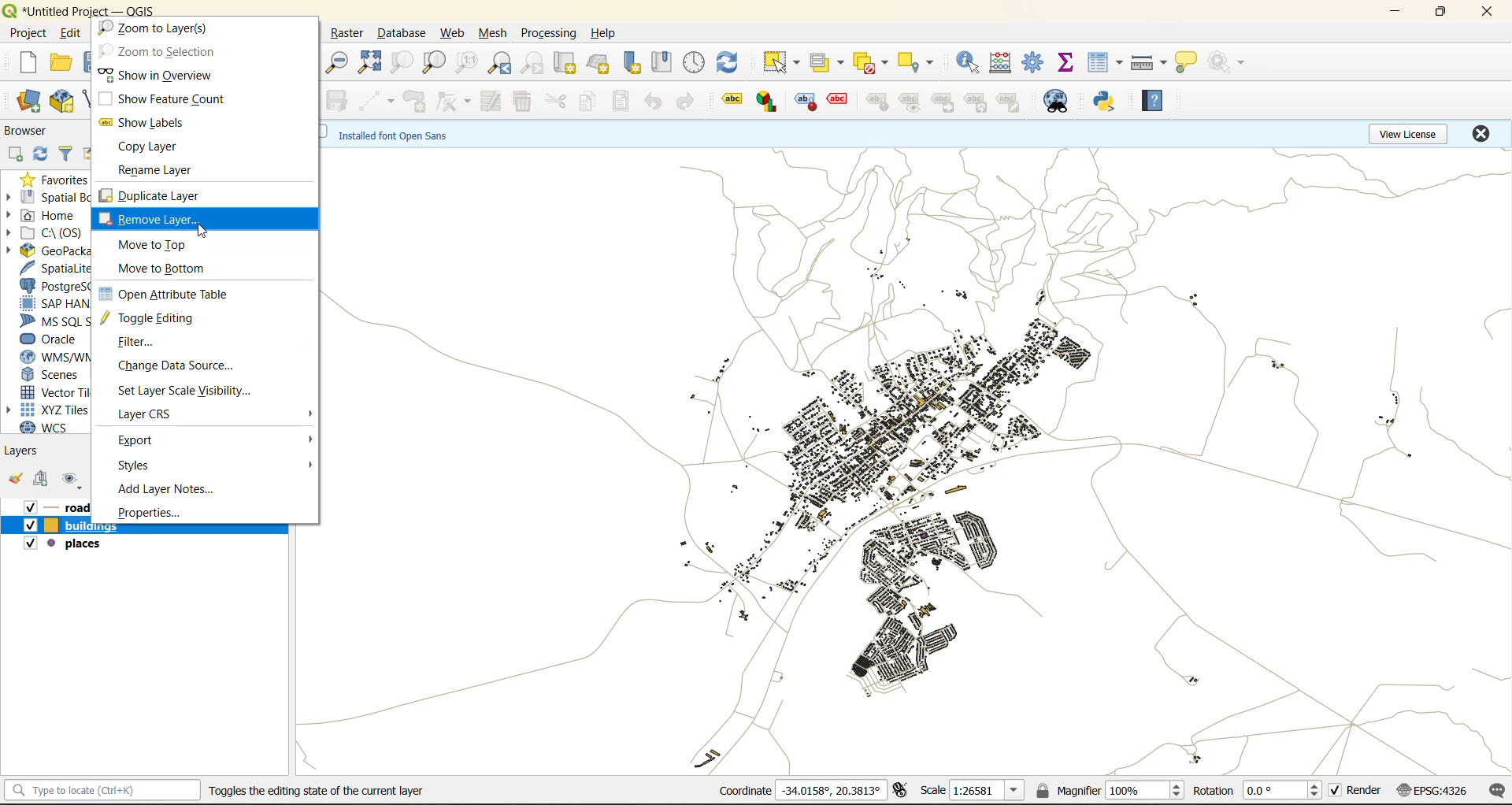 This screenshot has height=805, width=1512. Describe the element at coordinates (433, 63) in the screenshot. I see `zoom layer` at that location.